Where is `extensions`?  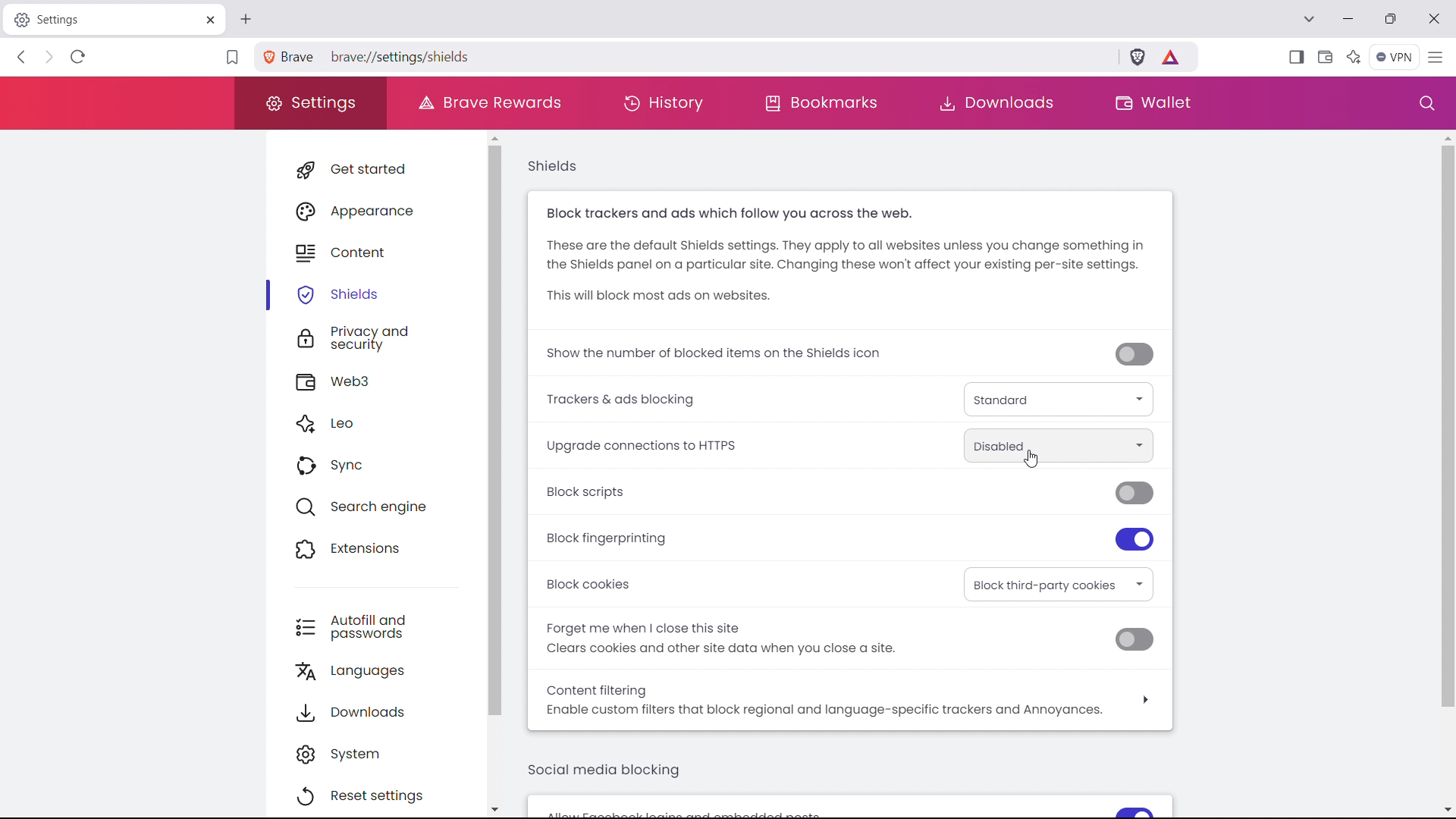 extensions is located at coordinates (384, 547).